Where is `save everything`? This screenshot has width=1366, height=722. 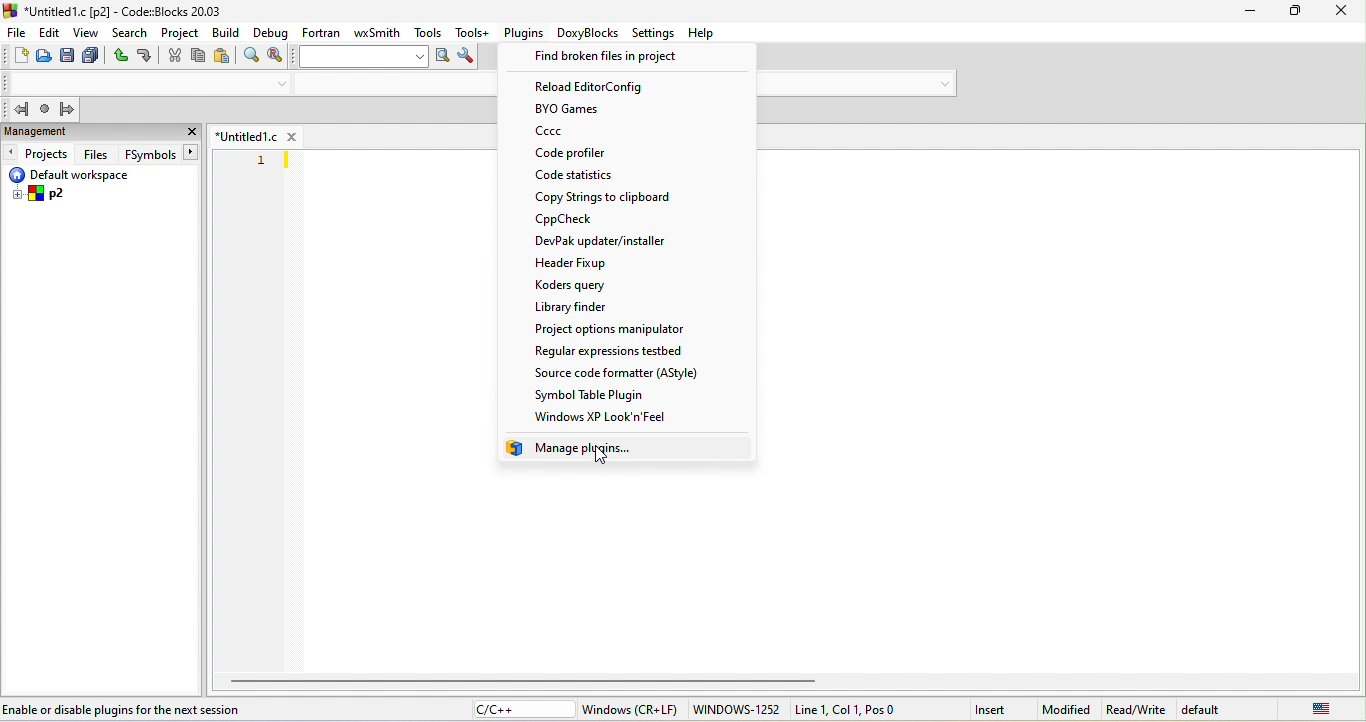 save everything is located at coordinates (91, 57).